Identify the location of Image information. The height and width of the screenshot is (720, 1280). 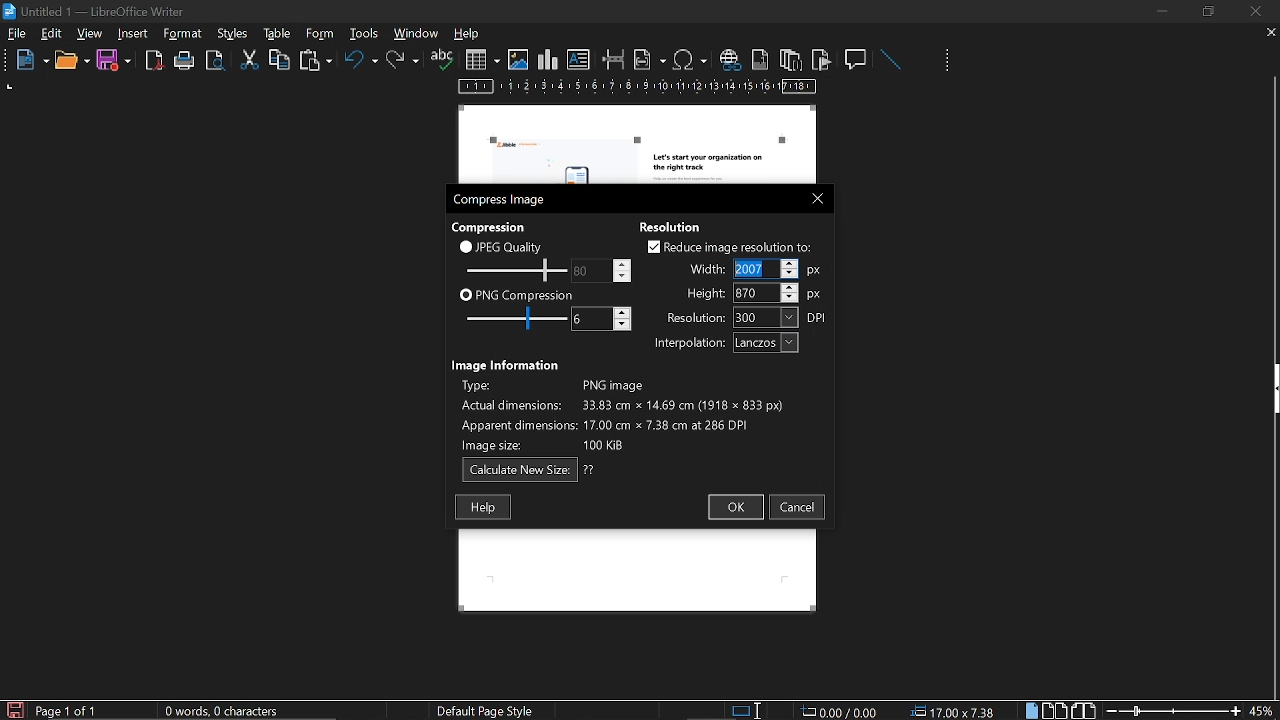
(508, 363).